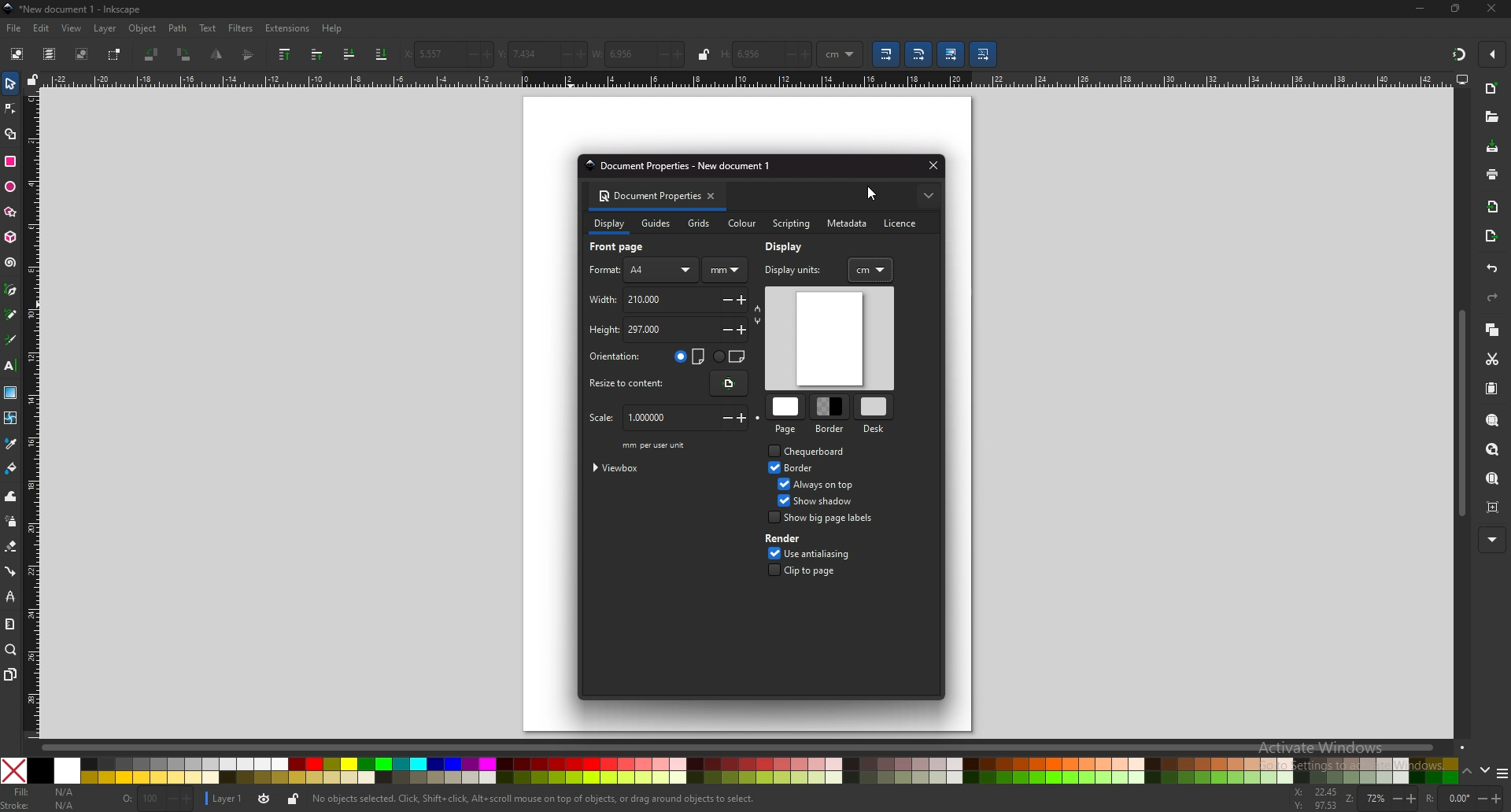 The height and width of the screenshot is (812, 1511). Describe the element at coordinates (1494, 507) in the screenshot. I see `zoom centre page` at that location.